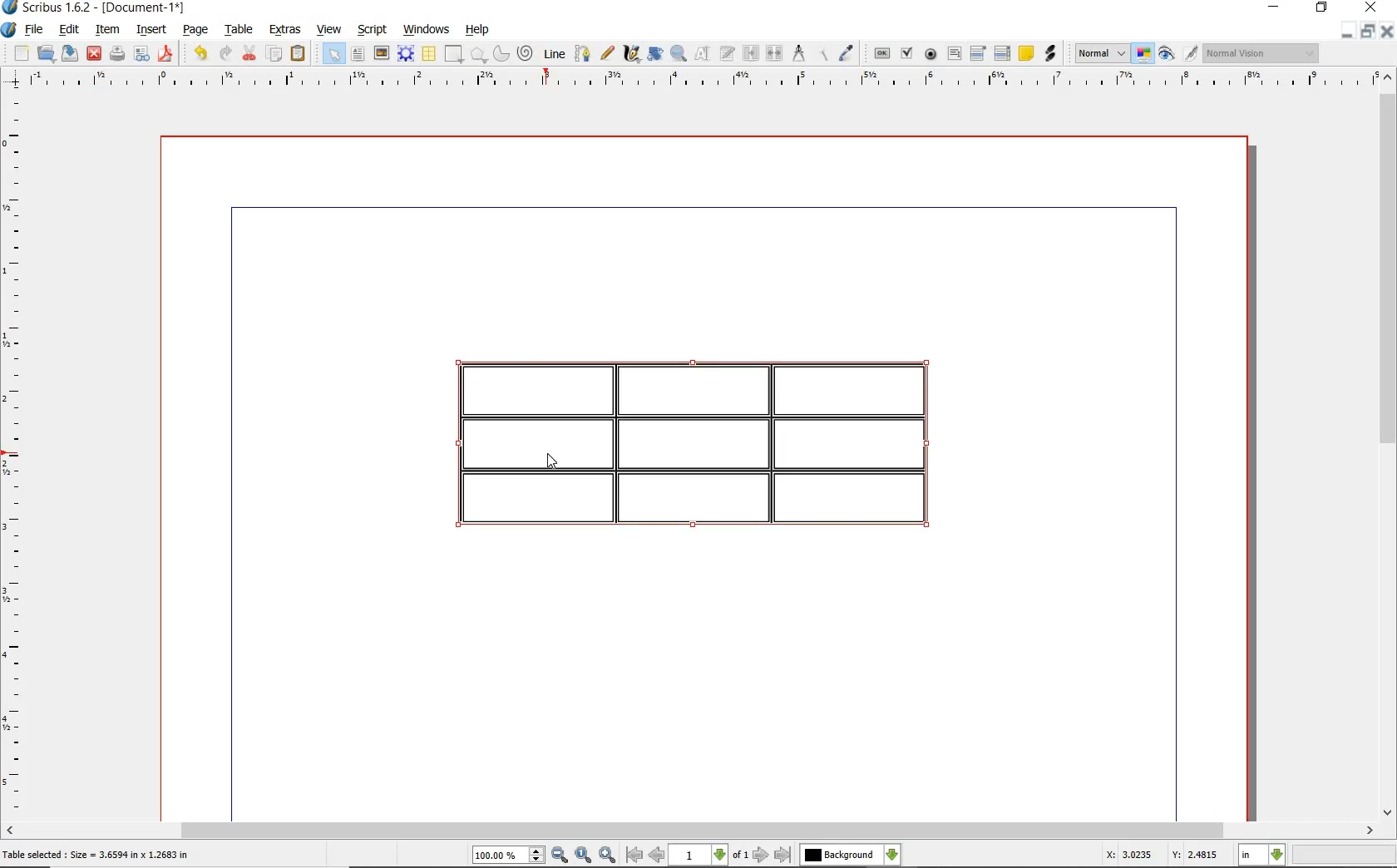  I want to click on select the image preview quality, so click(1097, 53).